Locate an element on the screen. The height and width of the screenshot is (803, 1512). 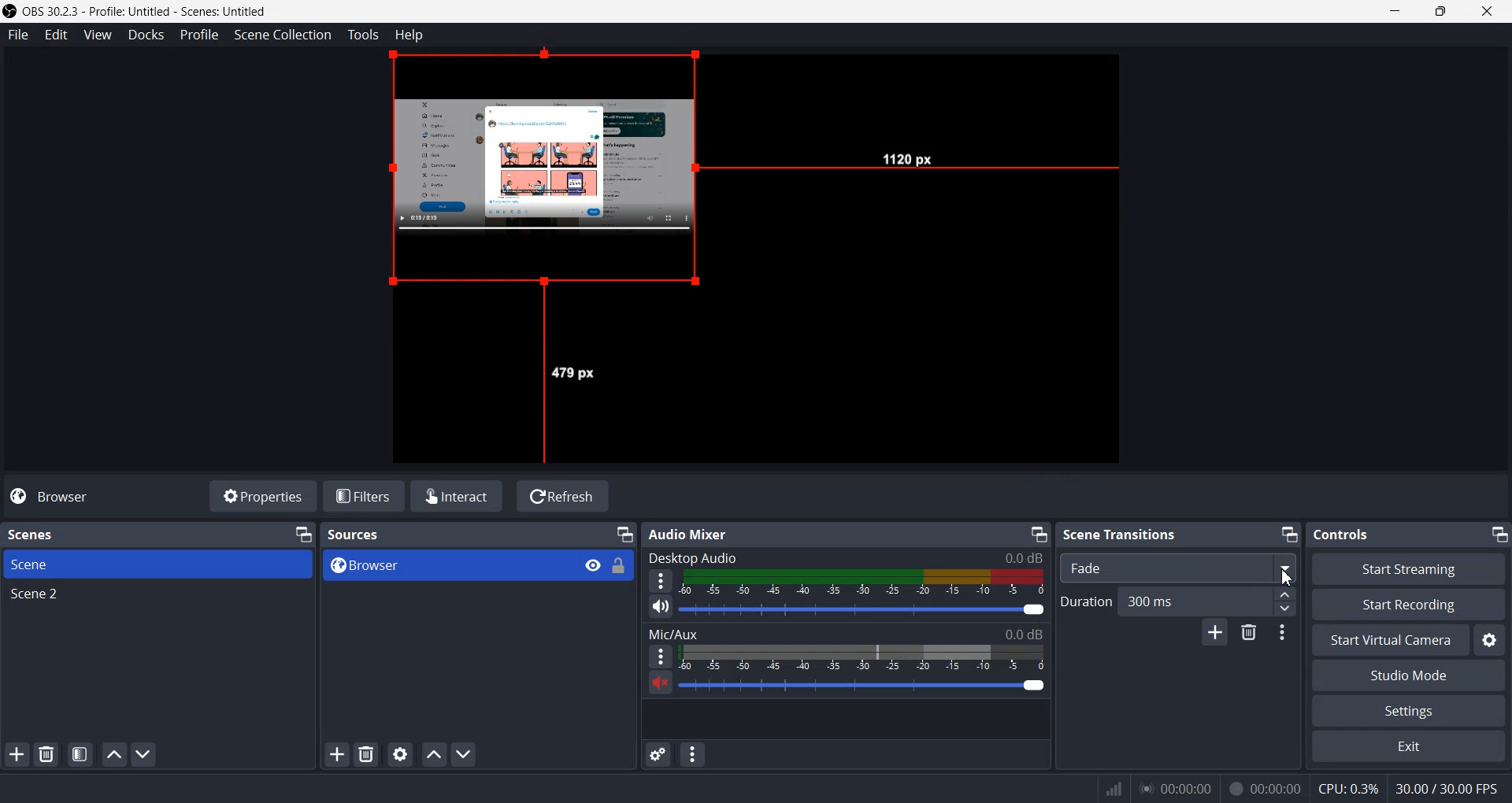
Mute / Unmute is located at coordinates (658, 682).